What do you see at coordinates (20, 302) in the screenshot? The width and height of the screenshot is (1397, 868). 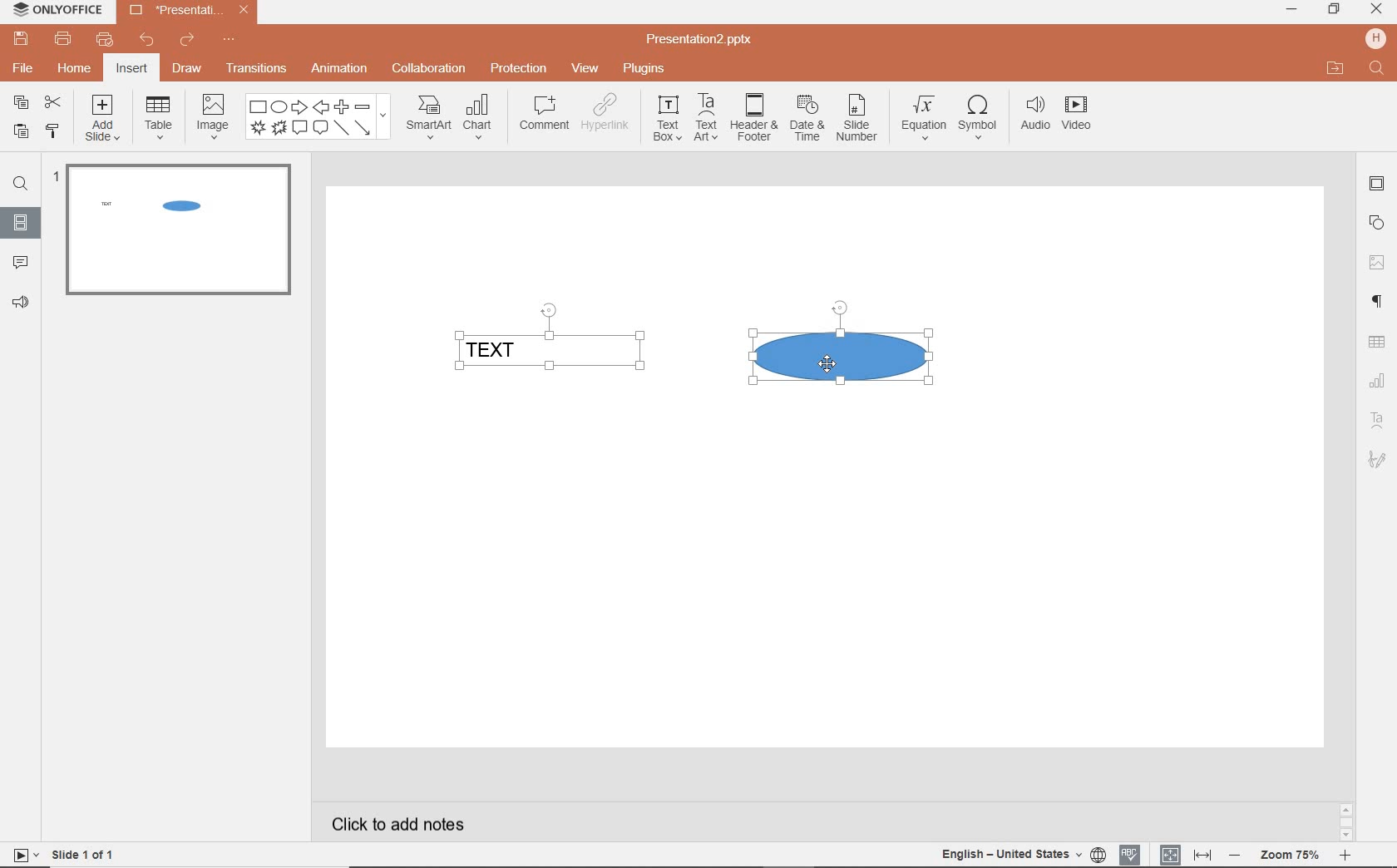 I see `FEEDBACK & SUPPORT` at bounding box center [20, 302].